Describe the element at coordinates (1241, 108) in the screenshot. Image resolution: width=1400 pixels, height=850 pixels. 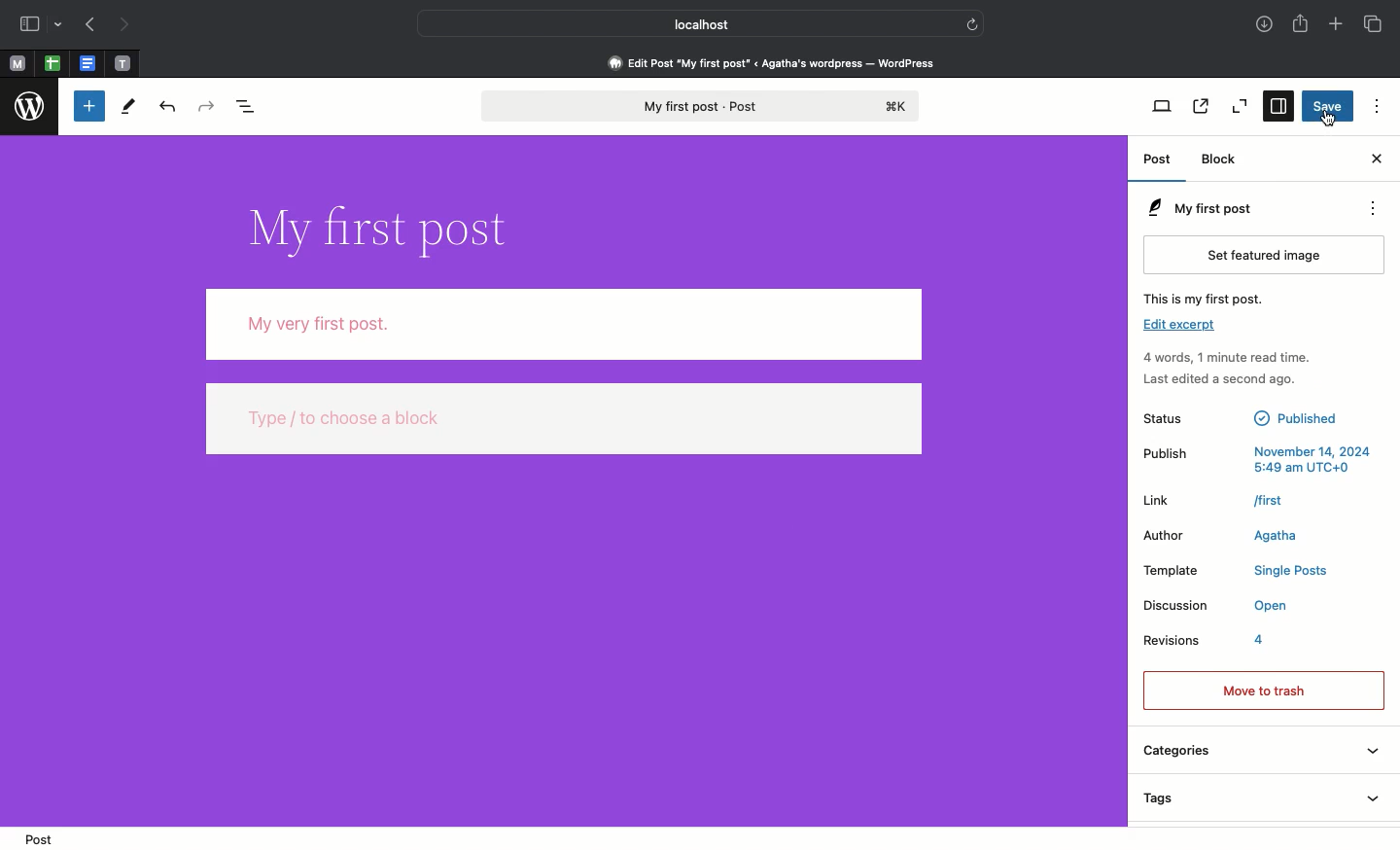
I see `Zoom out` at that location.